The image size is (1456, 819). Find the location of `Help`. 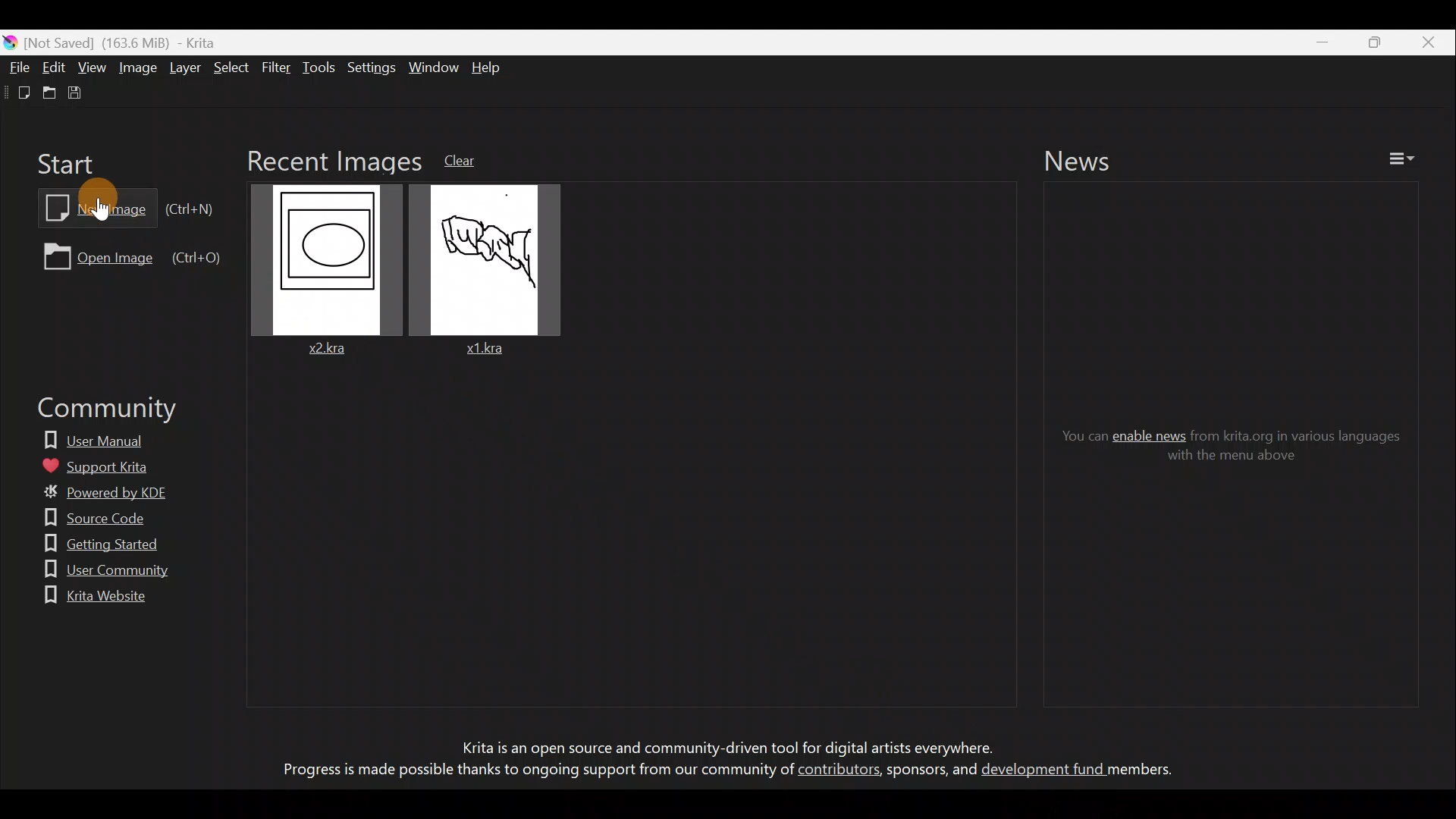

Help is located at coordinates (491, 67).